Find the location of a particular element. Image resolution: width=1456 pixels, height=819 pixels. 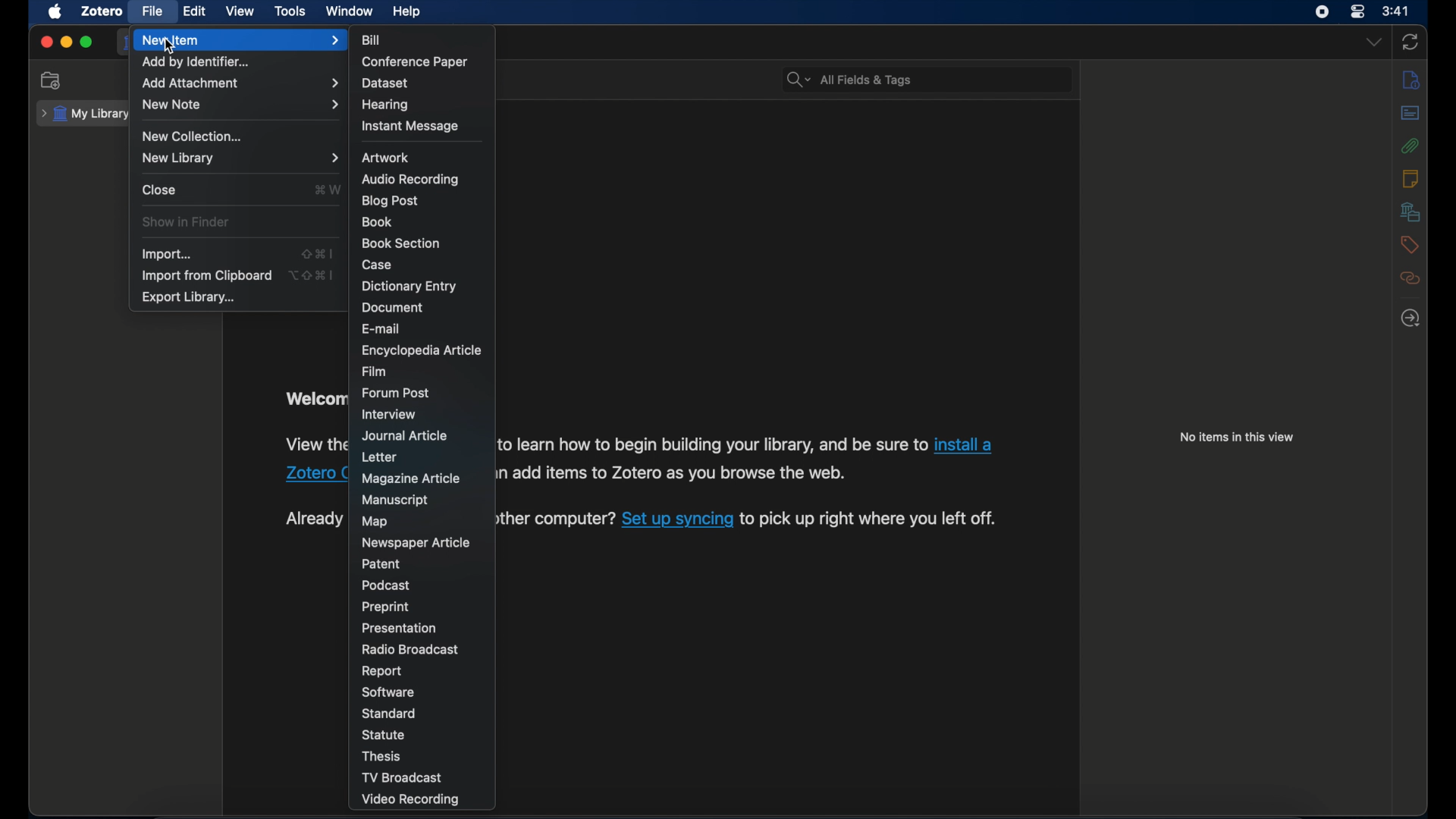

new library is located at coordinates (242, 158).